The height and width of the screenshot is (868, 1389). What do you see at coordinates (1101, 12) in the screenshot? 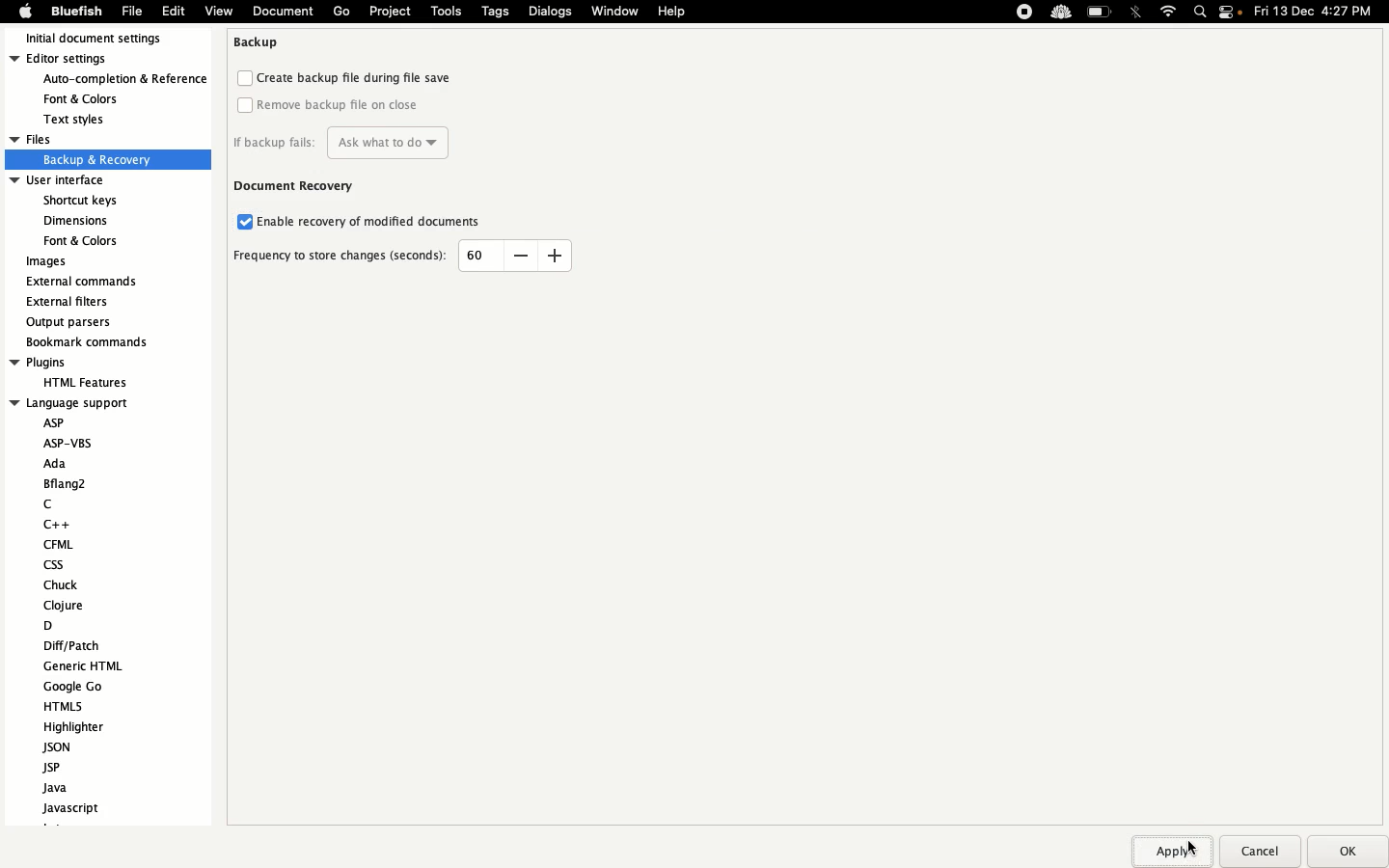
I see `Charge` at bounding box center [1101, 12].